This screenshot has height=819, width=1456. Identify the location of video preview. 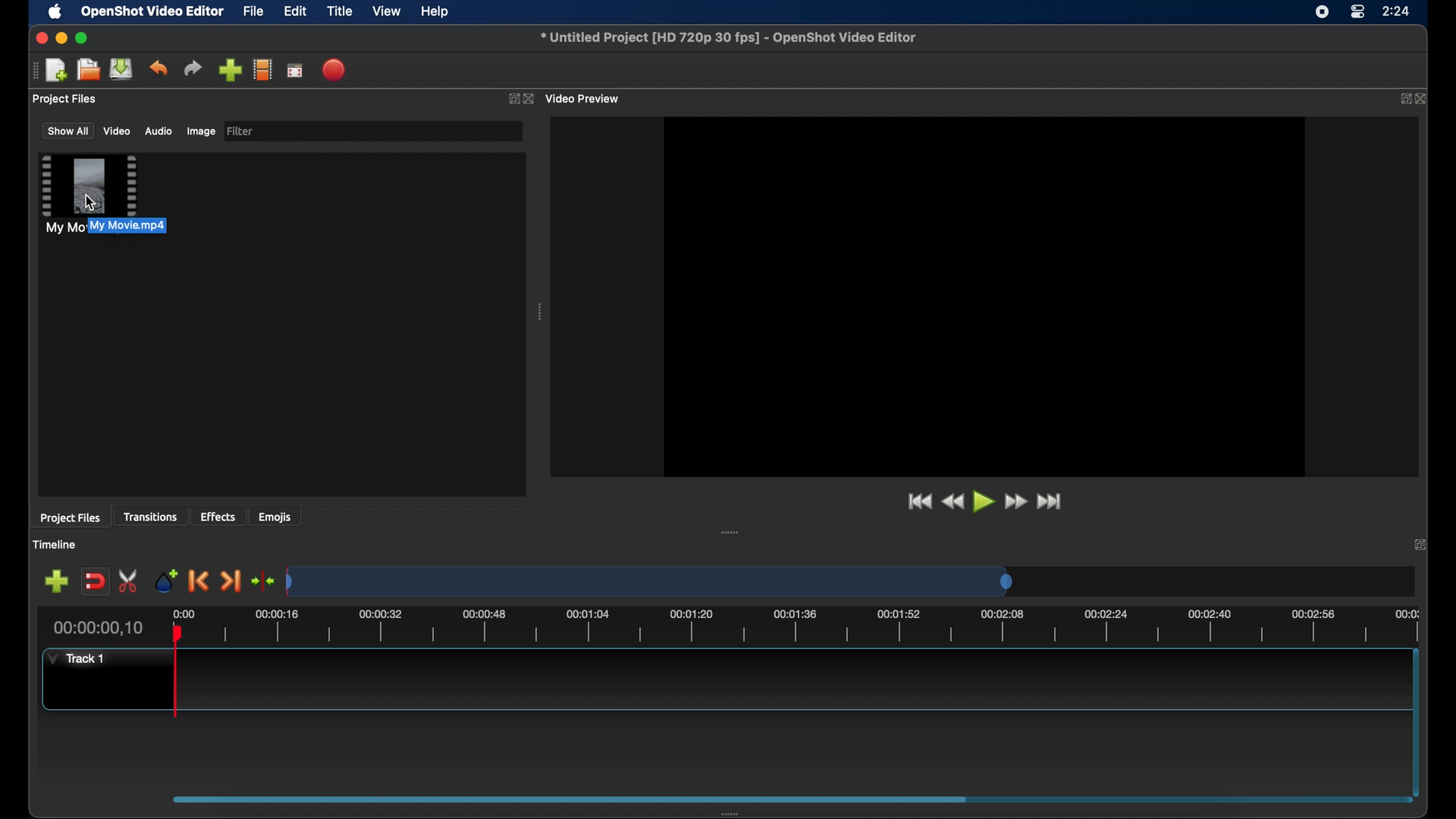
(584, 98).